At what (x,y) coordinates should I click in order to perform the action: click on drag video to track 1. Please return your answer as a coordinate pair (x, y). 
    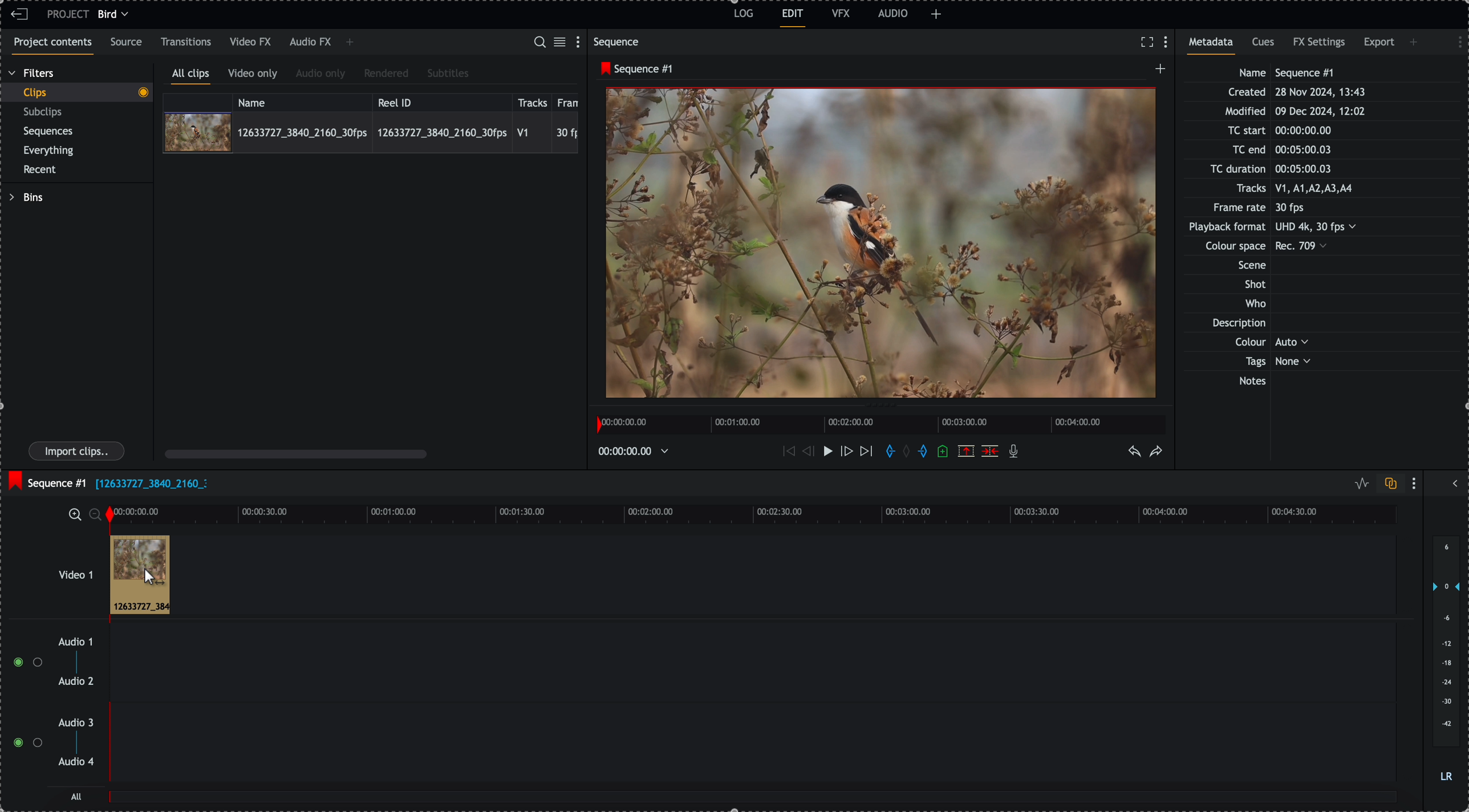
    Looking at the image, I should click on (137, 571).